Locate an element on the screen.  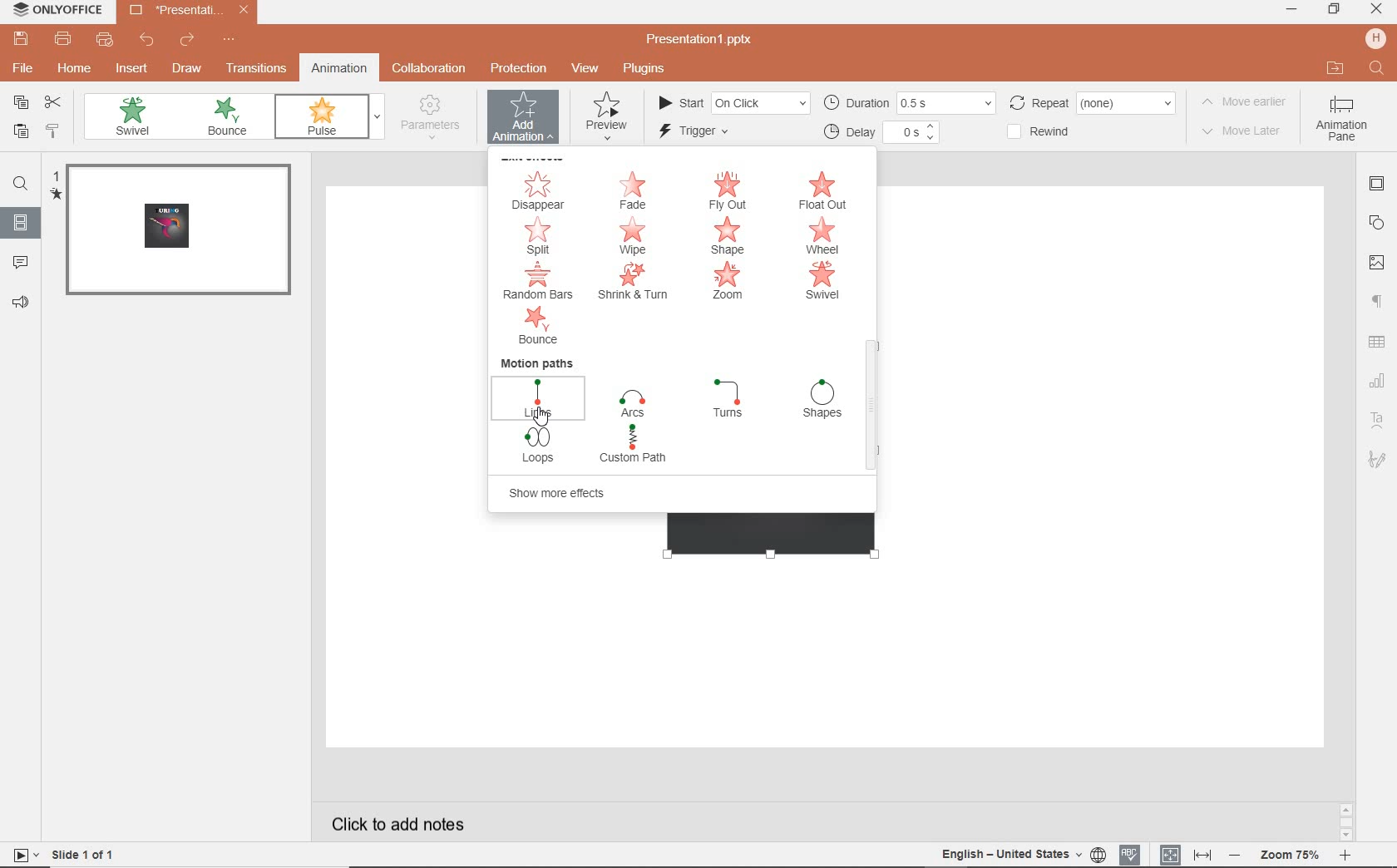
undo is located at coordinates (146, 38).